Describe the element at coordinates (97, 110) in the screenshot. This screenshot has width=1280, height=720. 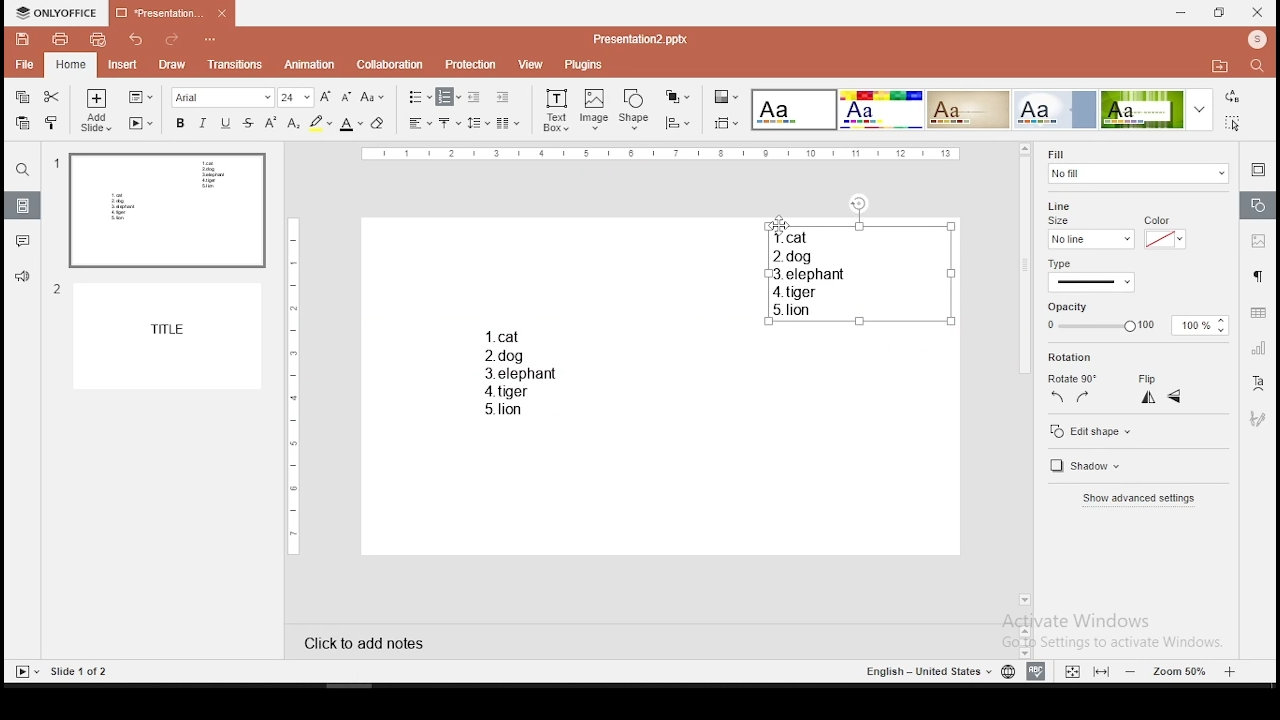
I see `add slide` at that location.